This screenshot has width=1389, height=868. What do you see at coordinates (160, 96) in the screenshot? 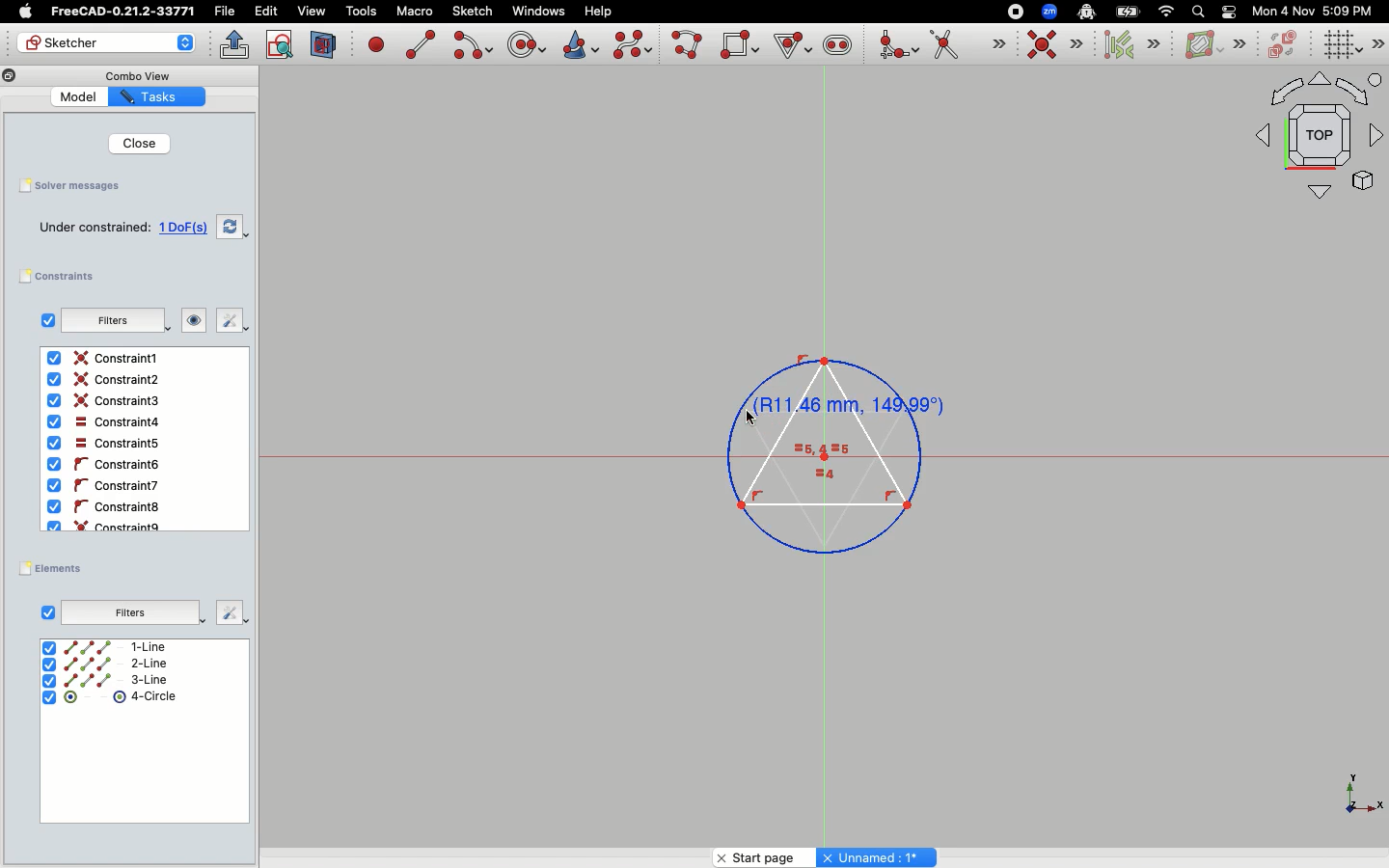
I see `Tasks` at bounding box center [160, 96].